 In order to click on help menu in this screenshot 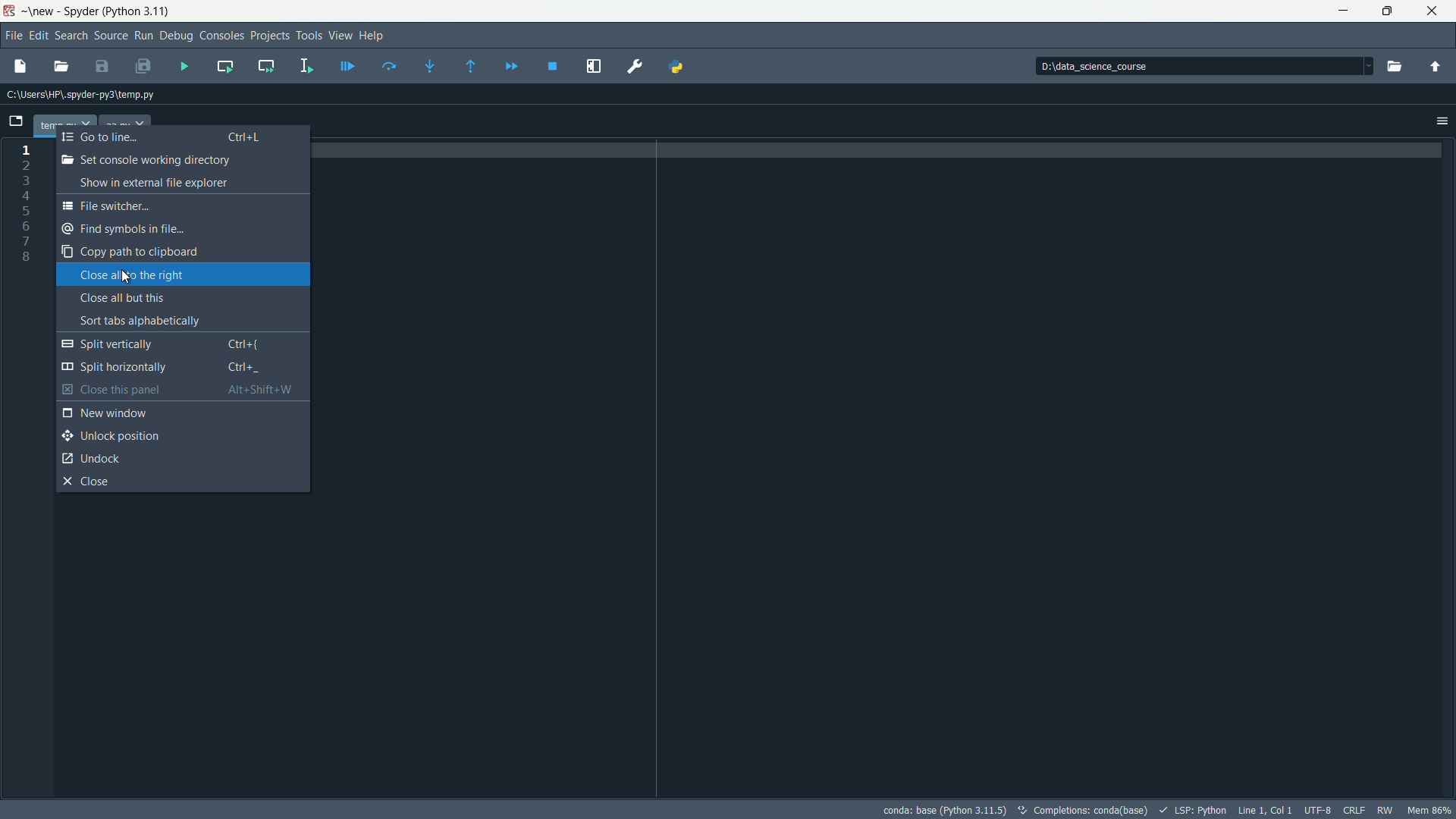, I will do `click(375, 36)`.